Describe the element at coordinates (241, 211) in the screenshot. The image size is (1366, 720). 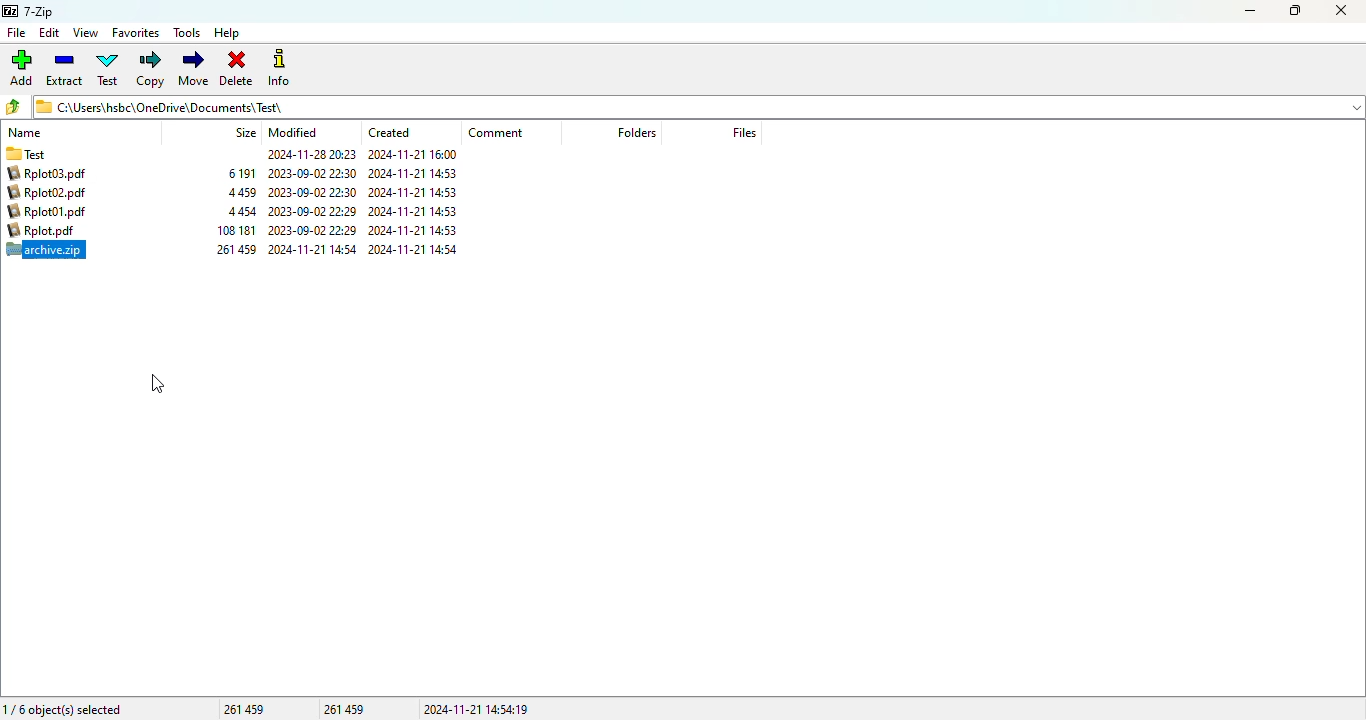
I see `4 459` at that location.